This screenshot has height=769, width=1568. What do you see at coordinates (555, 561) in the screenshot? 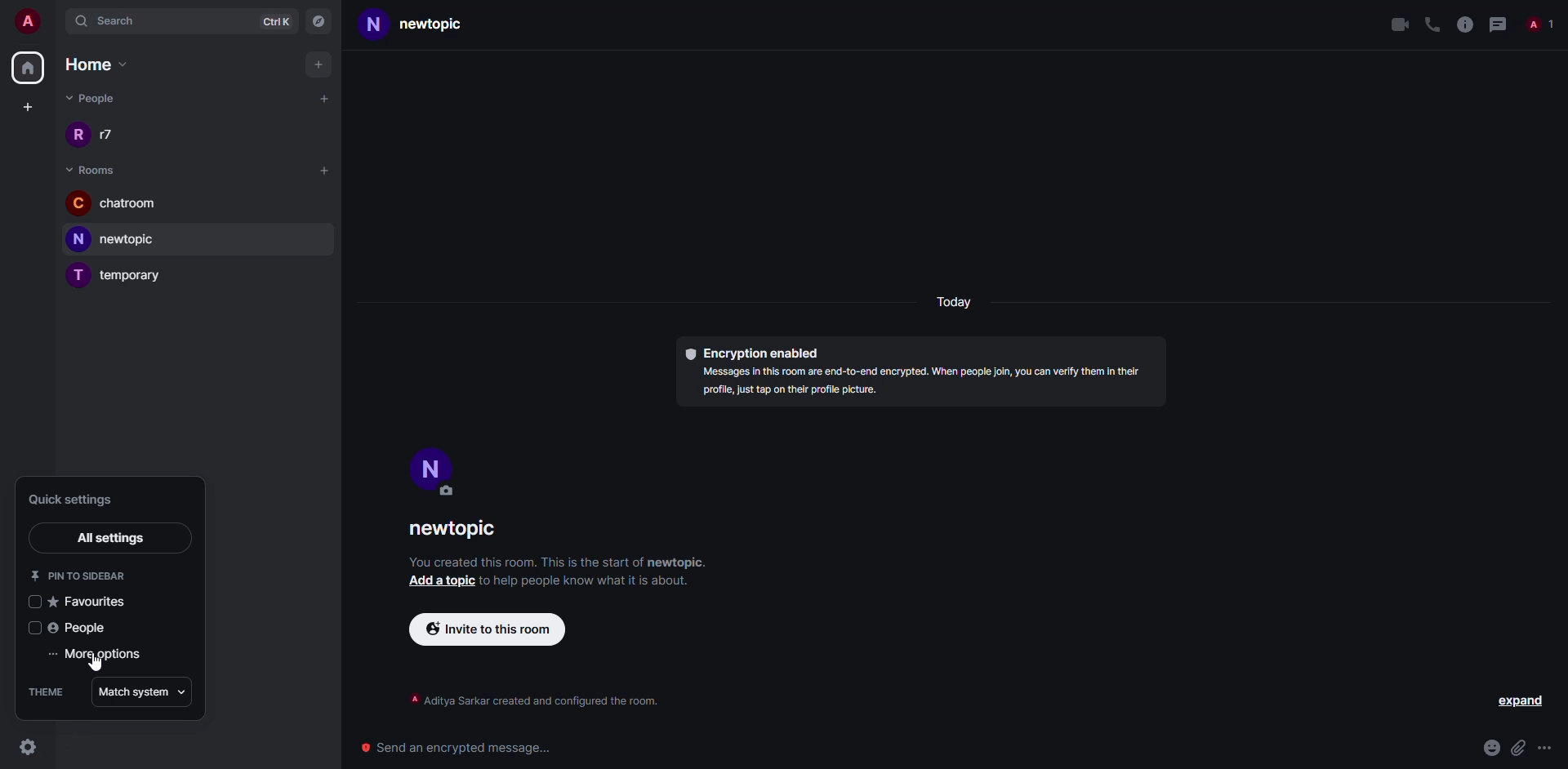
I see `info` at bounding box center [555, 561].